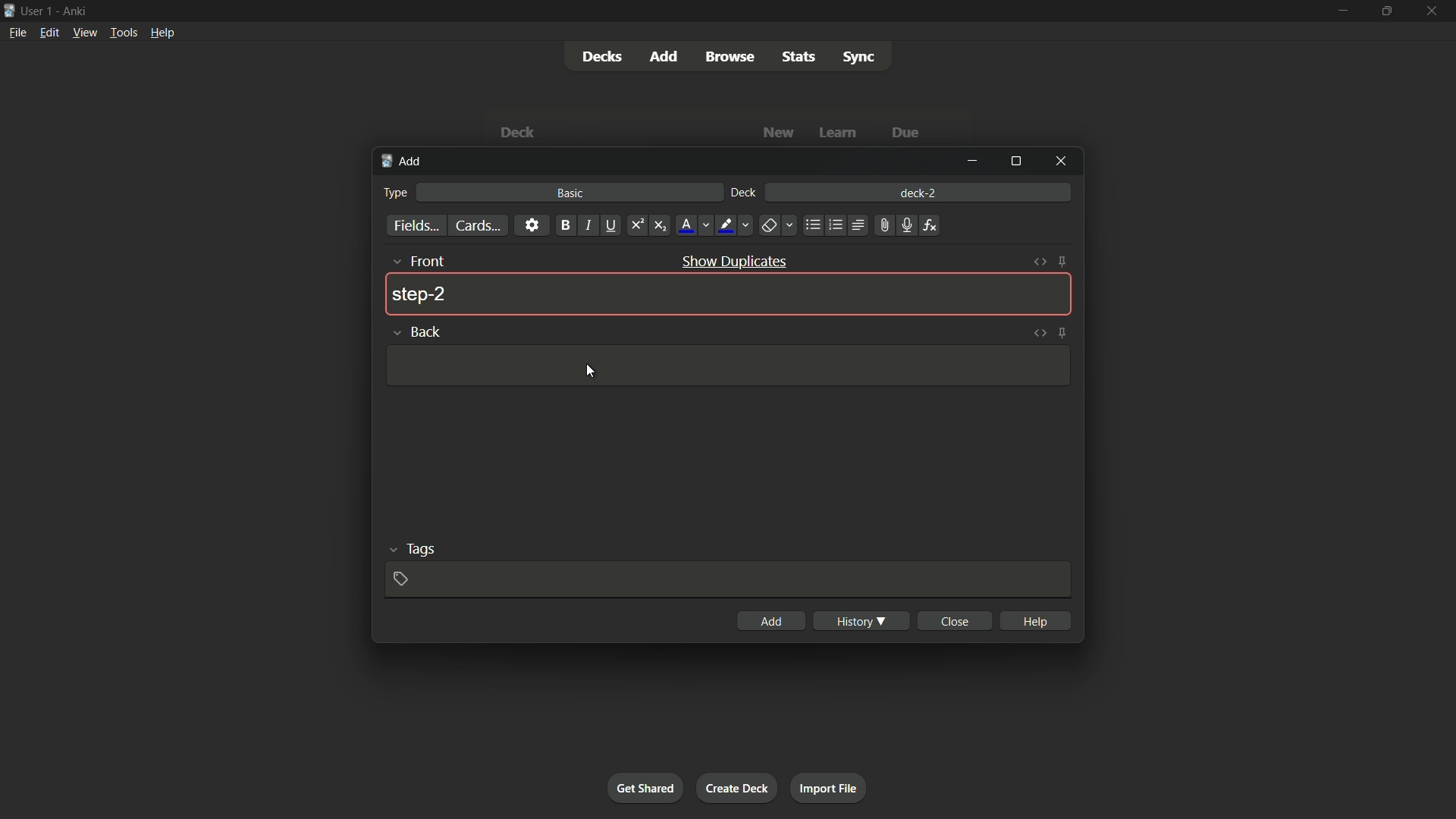 The width and height of the screenshot is (1456, 819). What do you see at coordinates (521, 132) in the screenshot?
I see `deck` at bounding box center [521, 132].